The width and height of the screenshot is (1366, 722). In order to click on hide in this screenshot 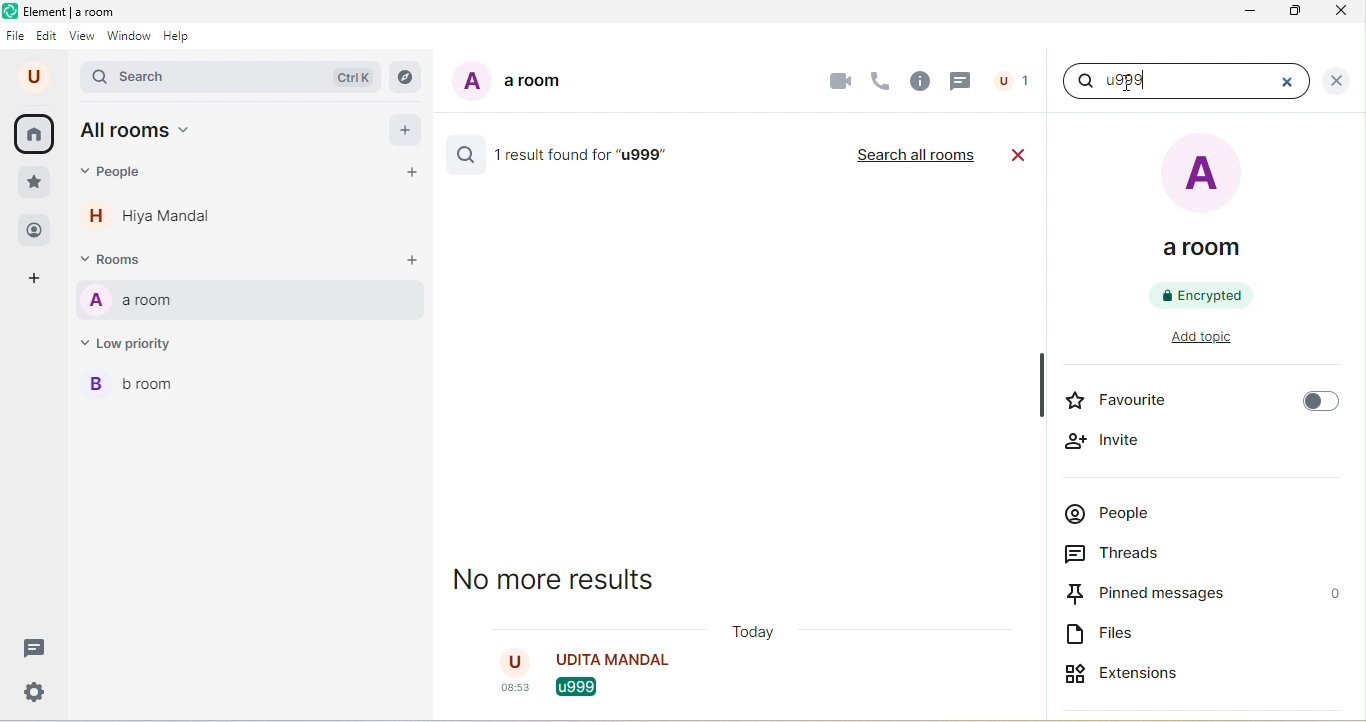, I will do `click(1040, 385)`.